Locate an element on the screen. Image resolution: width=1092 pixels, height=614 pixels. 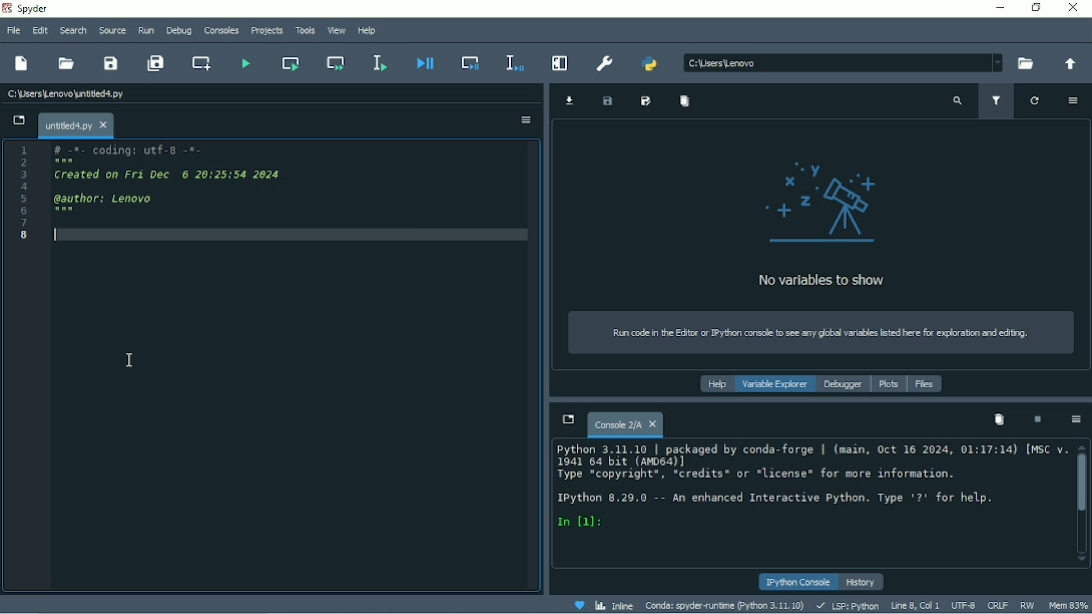
Help spyder is located at coordinates (579, 604).